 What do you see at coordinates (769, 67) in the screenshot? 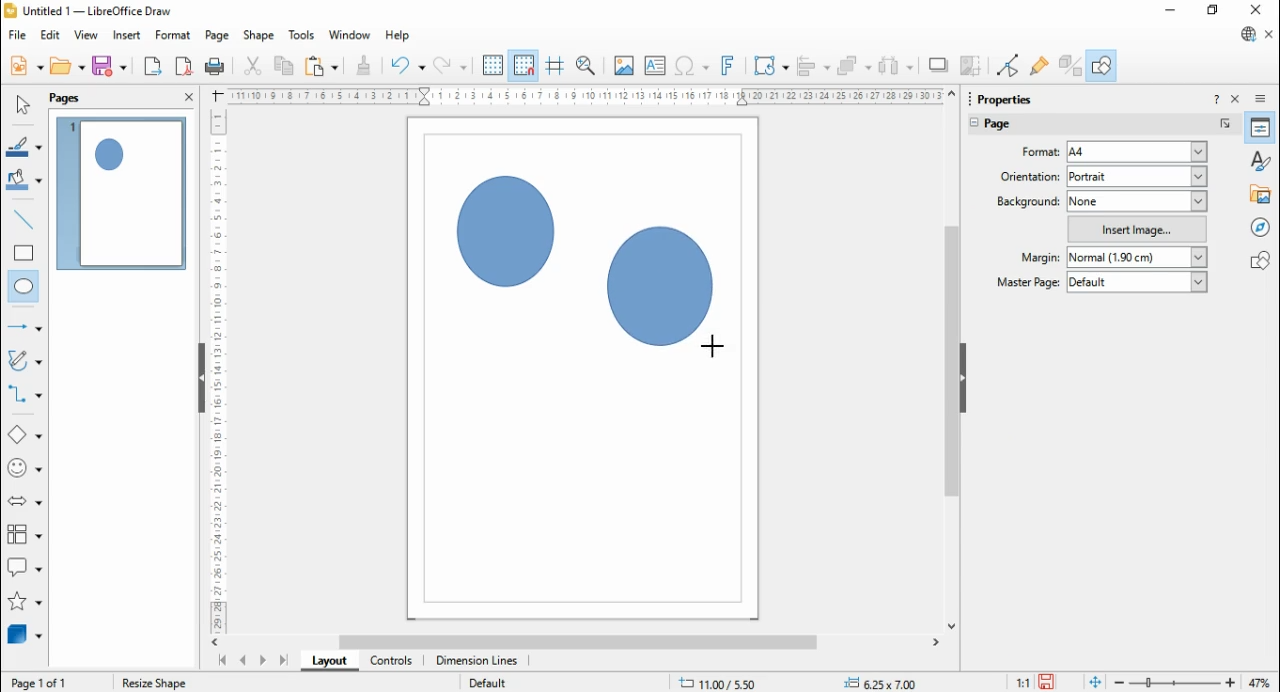
I see `transformations` at bounding box center [769, 67].